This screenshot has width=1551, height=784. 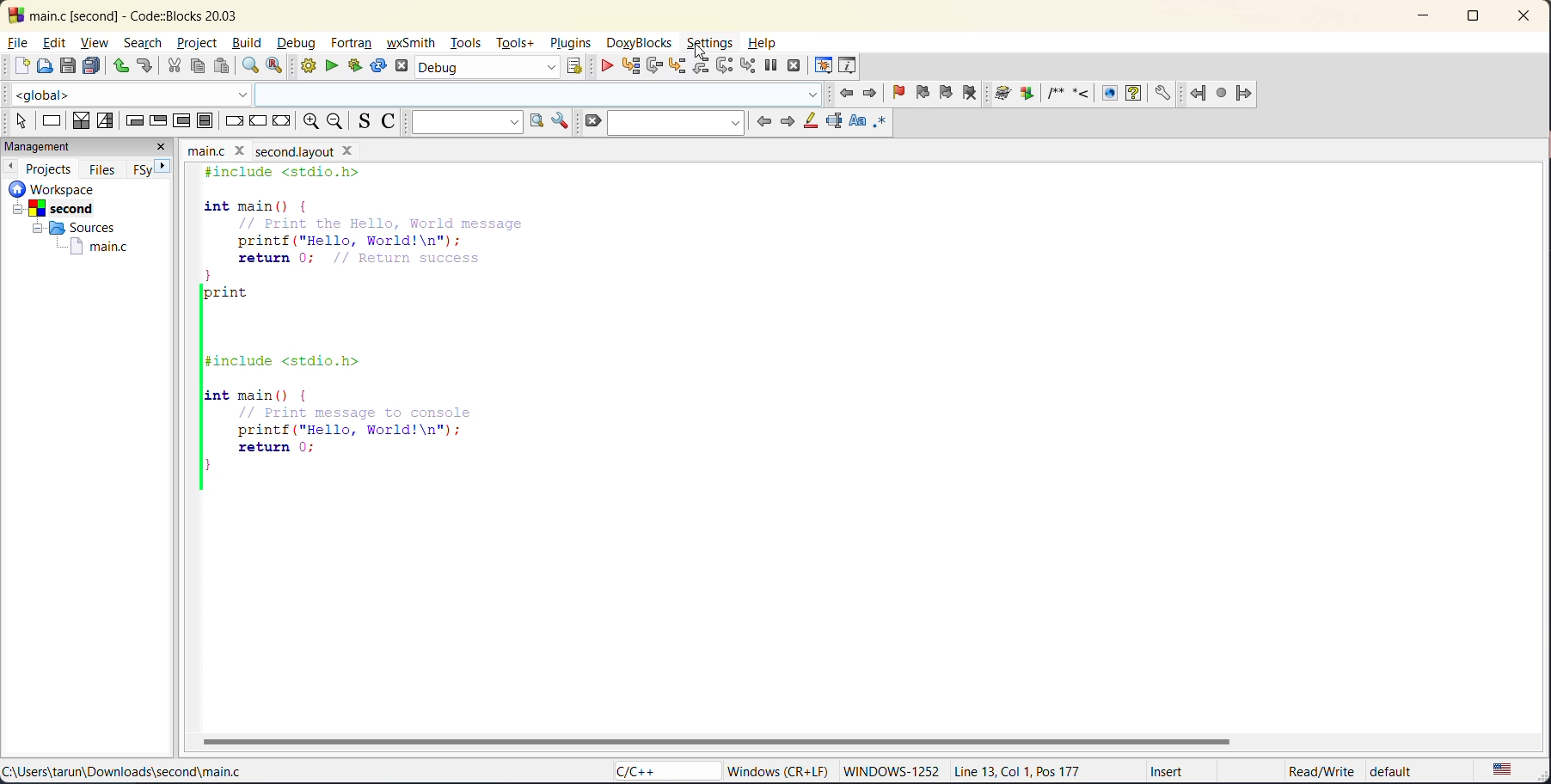 What do you see at coordinates (810, 121) in the screenshot?
I see `highlight` at bounding box center [810, 121].